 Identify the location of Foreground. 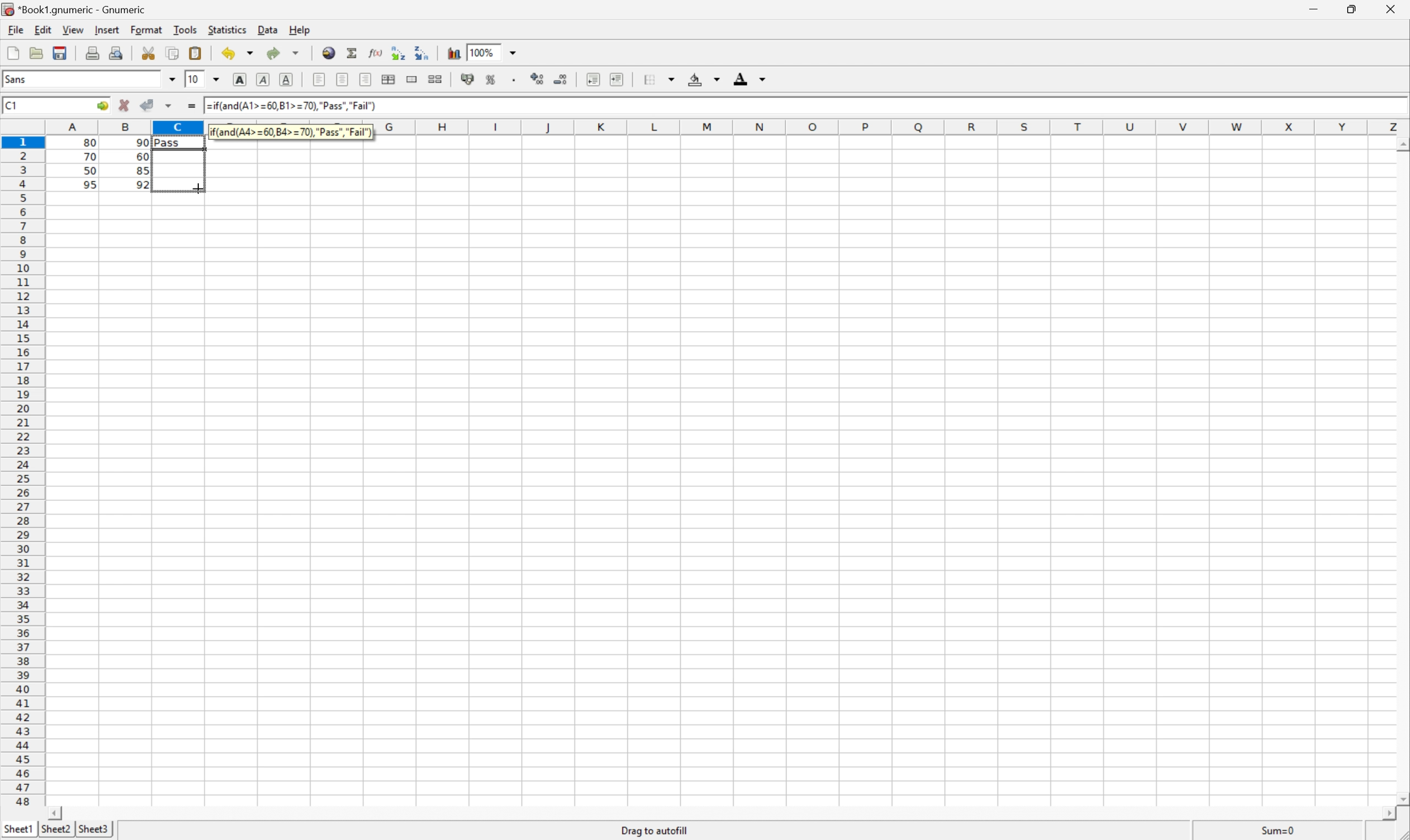
(749, 76).